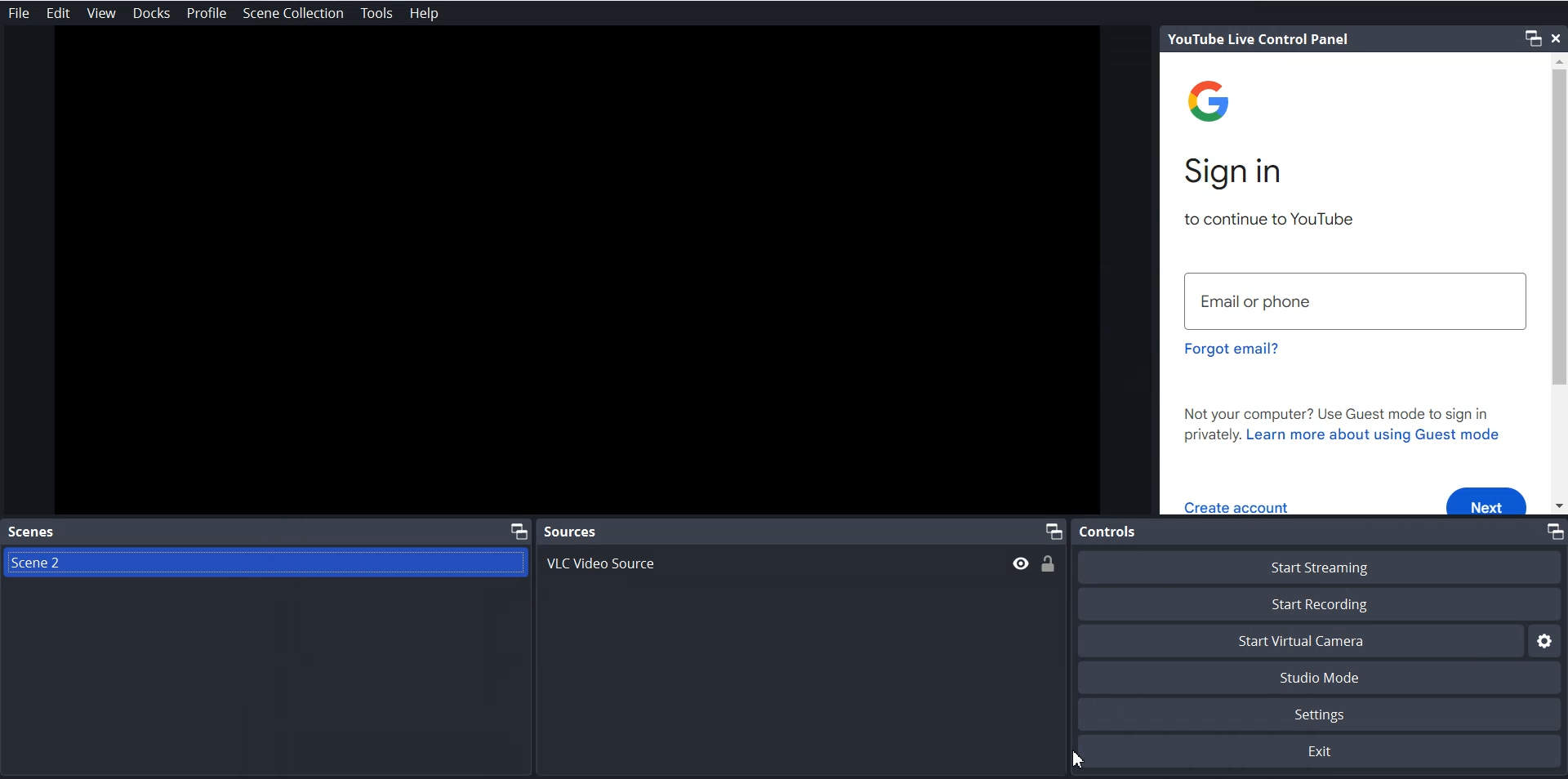  Describe the element at coordinates (1214, 105) in the screenshot. I see `Symbol` at that location.